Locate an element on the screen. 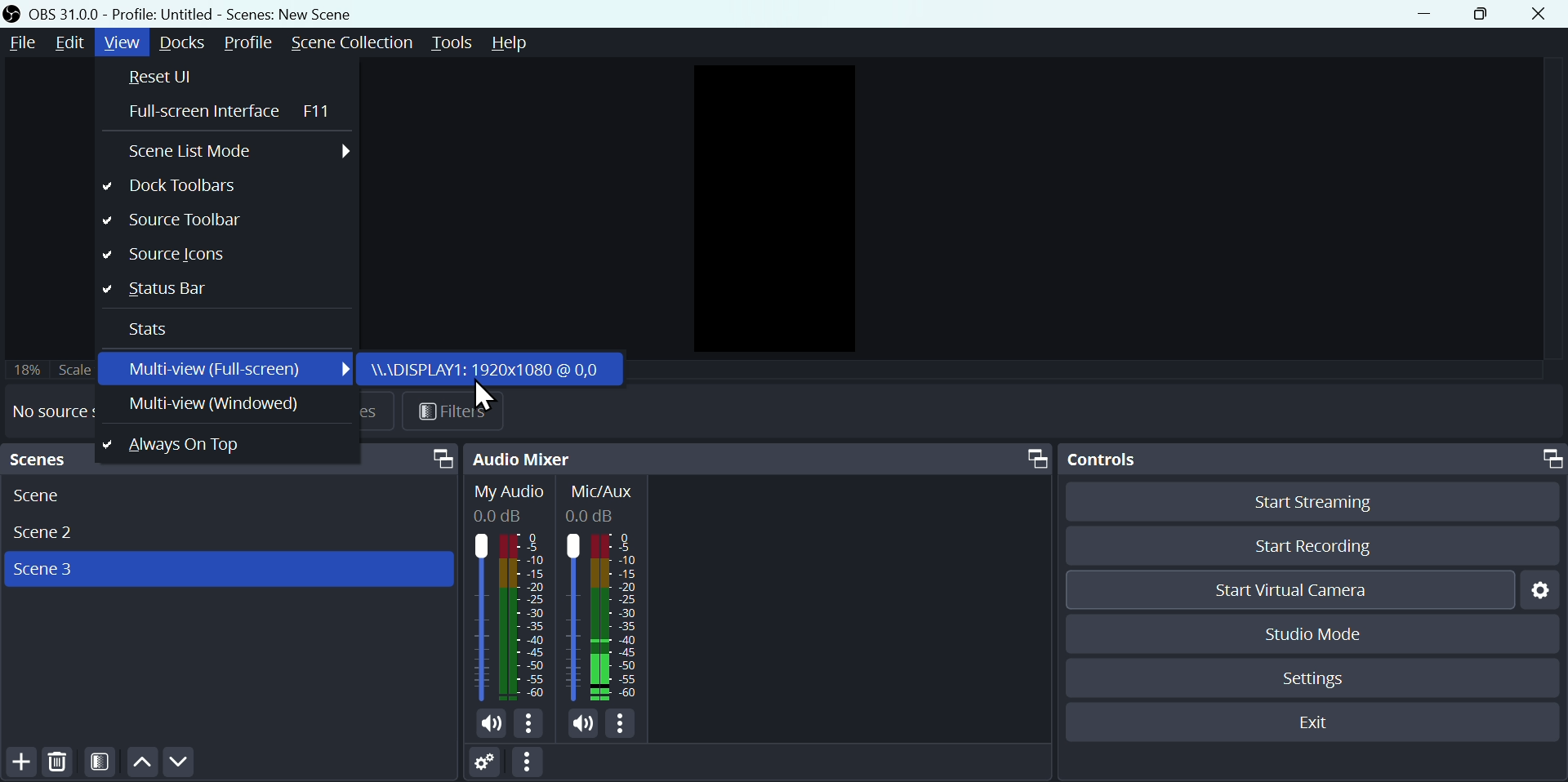 The image size is (1568, 782). Source toolbar is located at coordinates (220, 220).